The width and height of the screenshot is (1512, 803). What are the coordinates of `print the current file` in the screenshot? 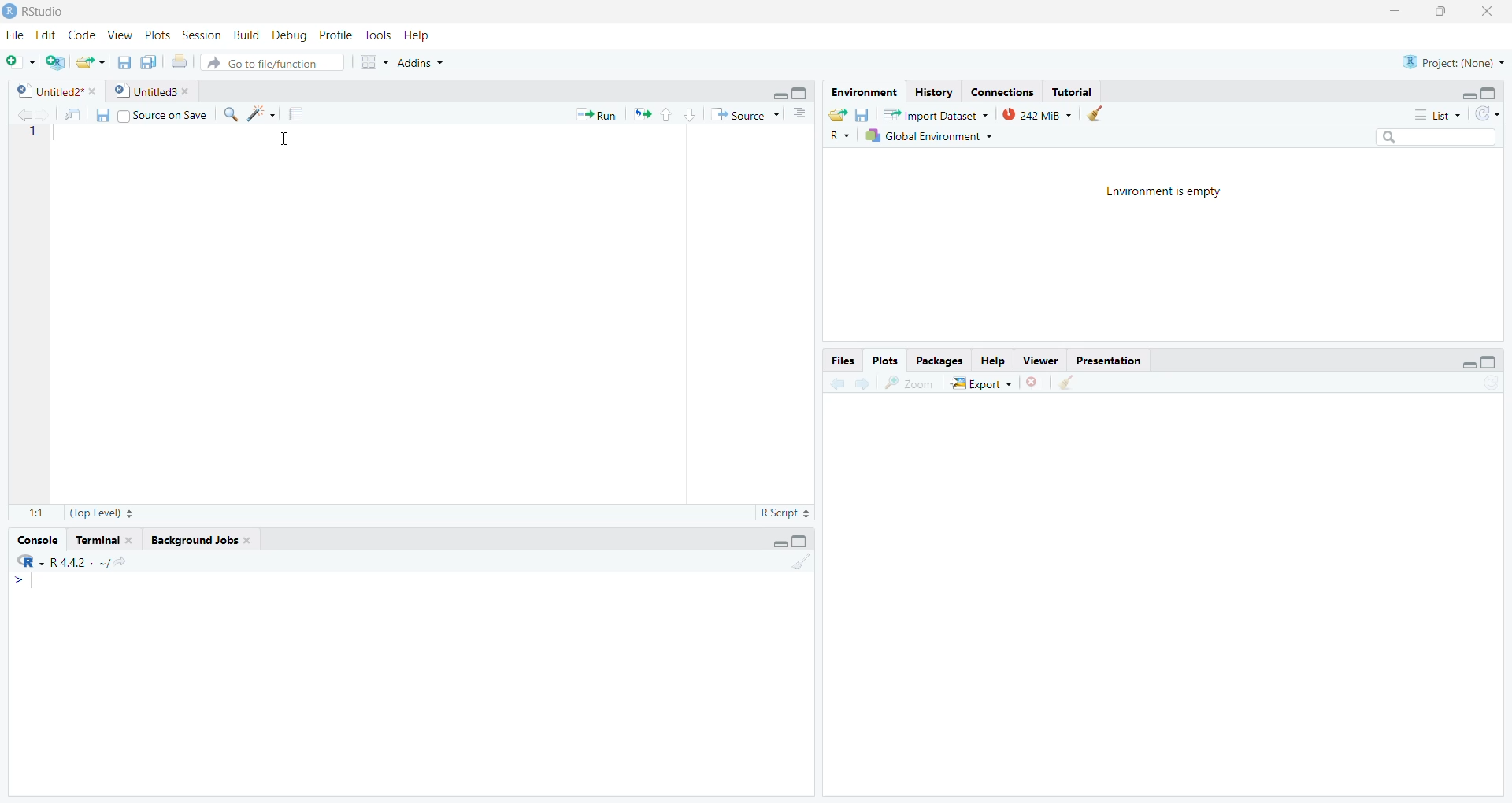 It's located at (177, 61).